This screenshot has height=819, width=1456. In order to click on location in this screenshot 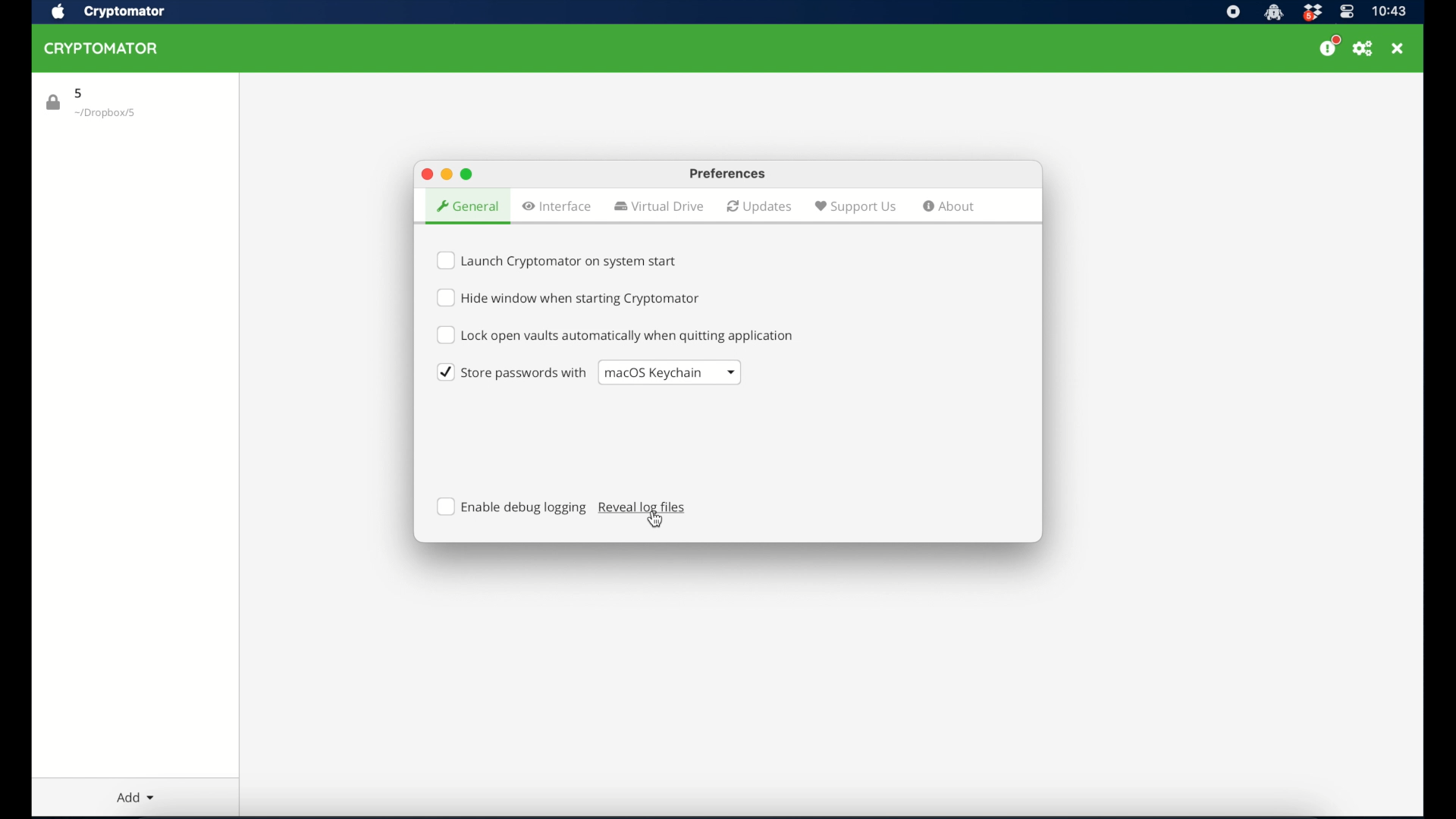, I will do `click(106, 114)`.